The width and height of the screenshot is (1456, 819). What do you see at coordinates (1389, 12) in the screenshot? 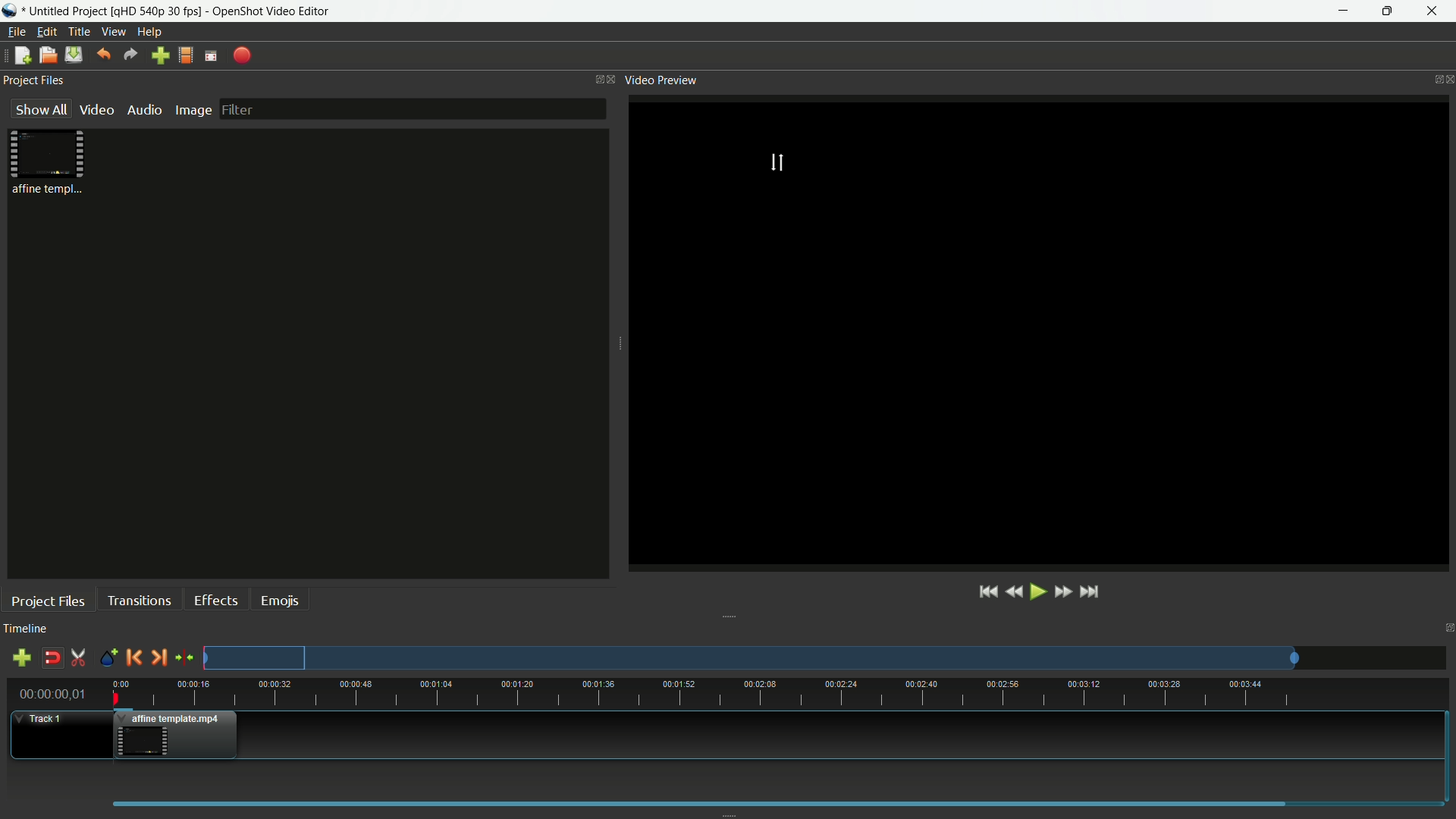
I see `maximize` at bounding box center [1389, 12].